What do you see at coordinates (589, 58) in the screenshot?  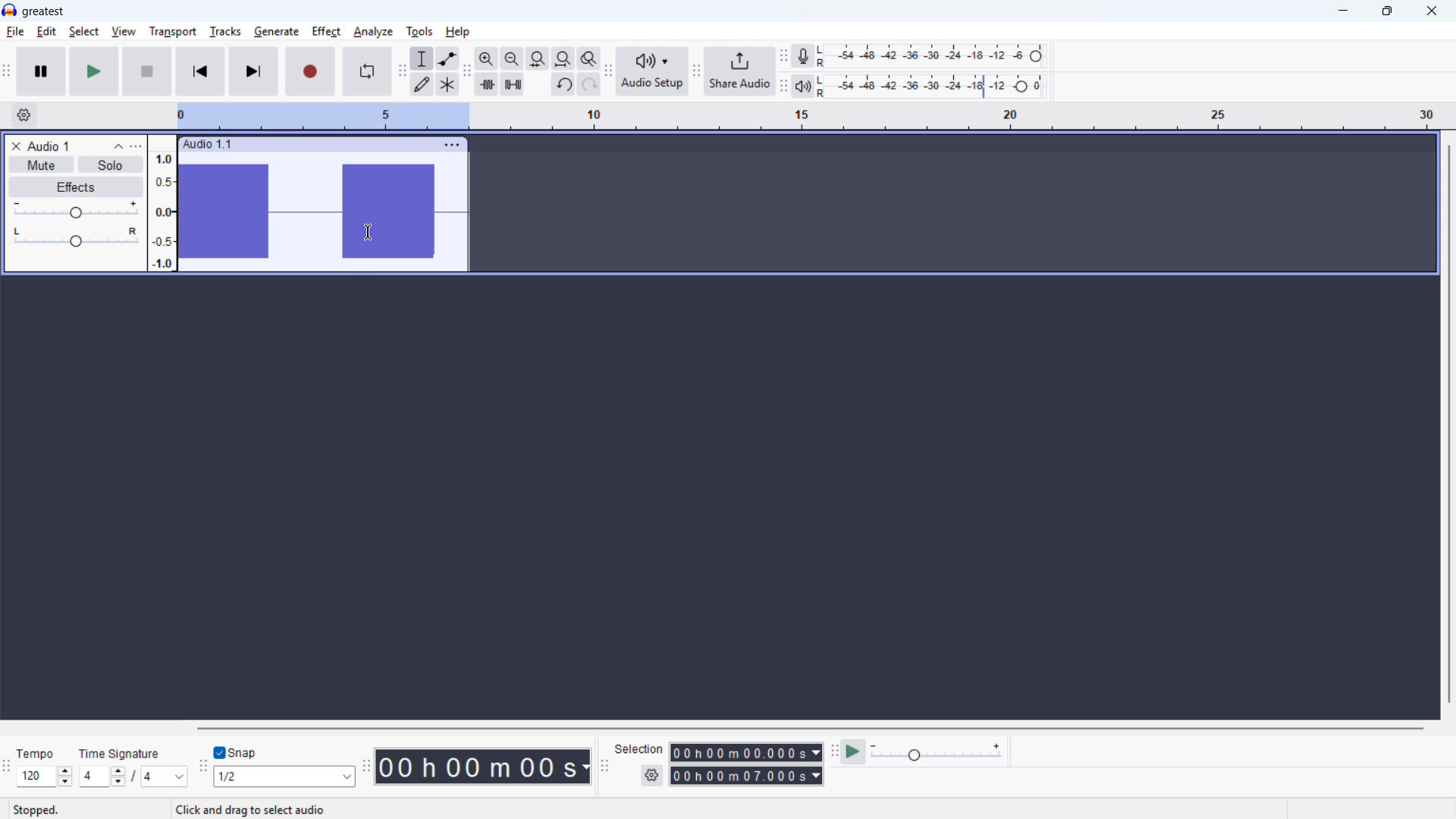 I see `Toggle zoom ` at bounding box center [589, 58].